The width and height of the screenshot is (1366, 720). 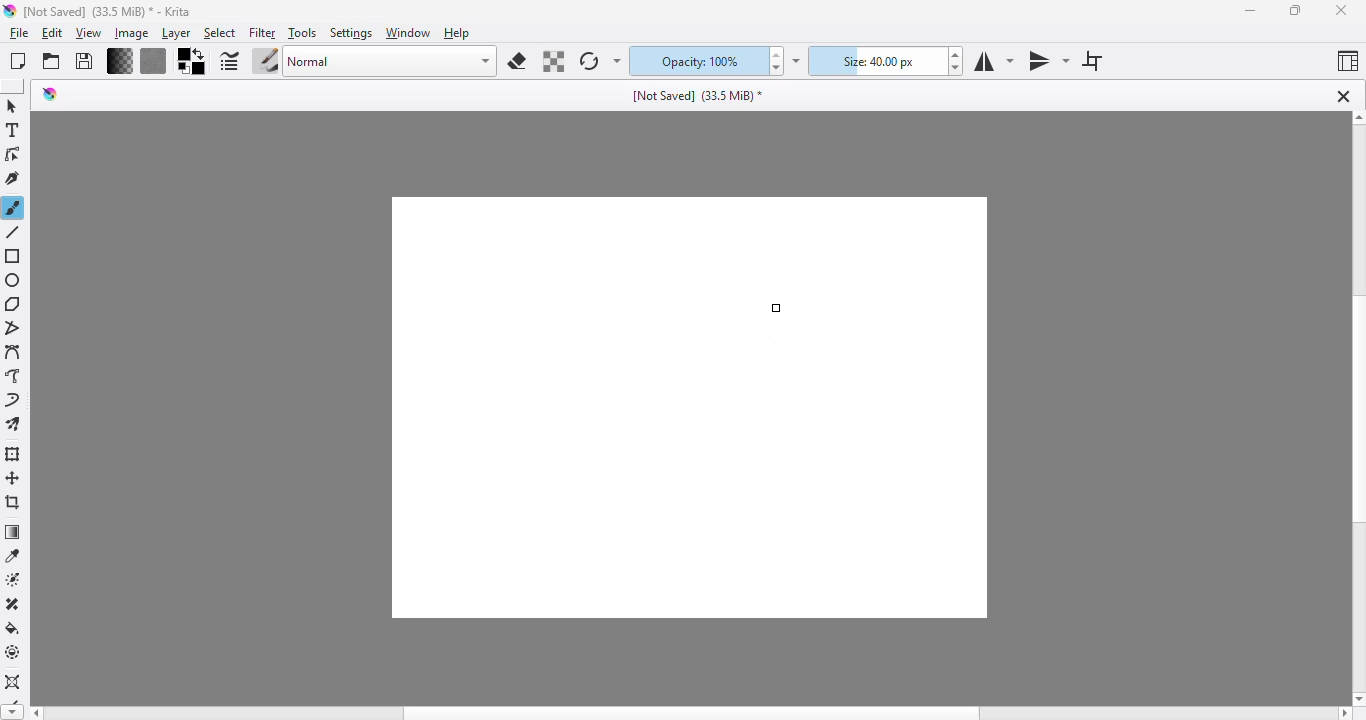 I want to click on logo, so click(x=9, y=10).